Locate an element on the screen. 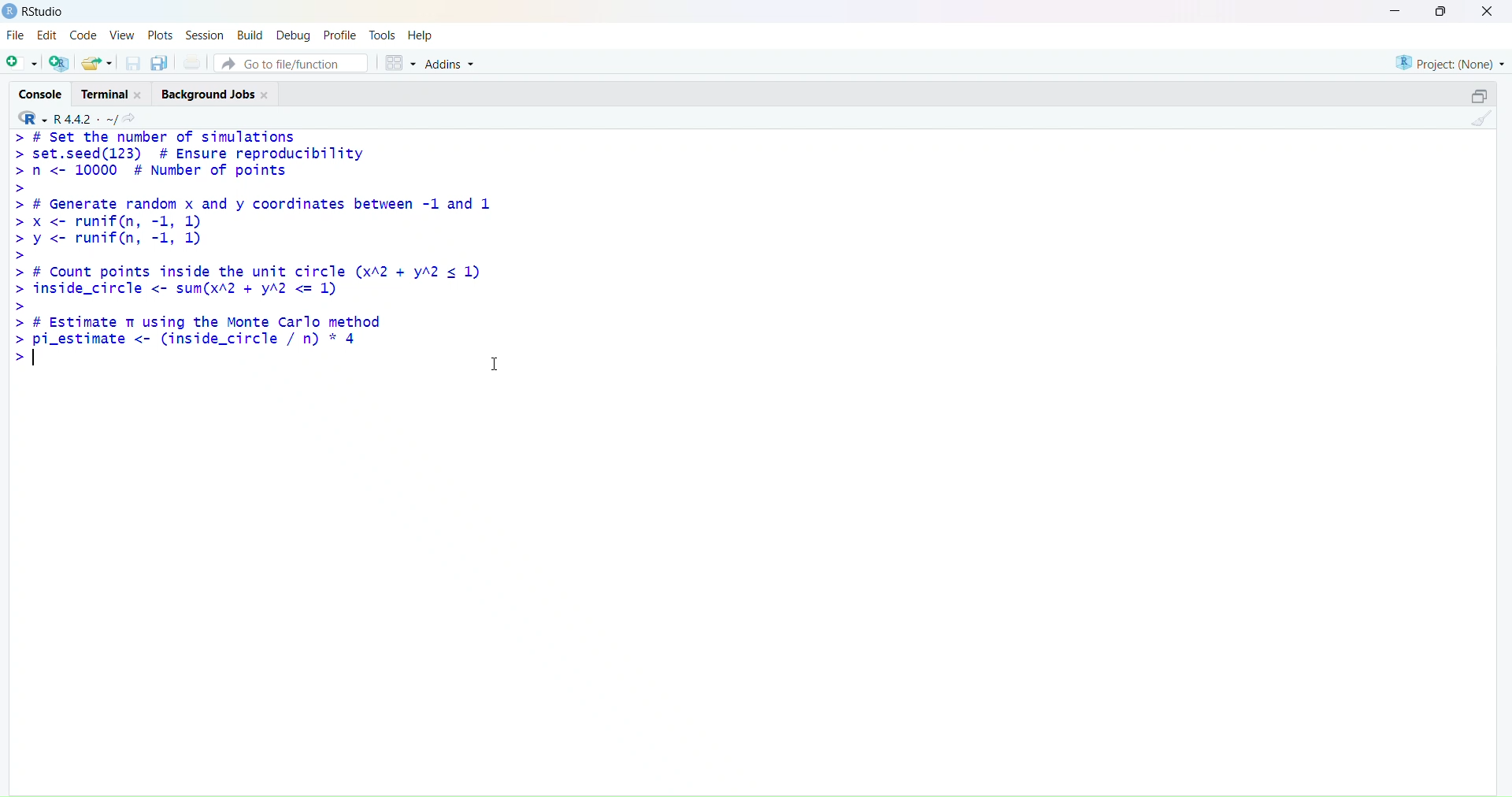  Close is located at coordinates (1487, 12).